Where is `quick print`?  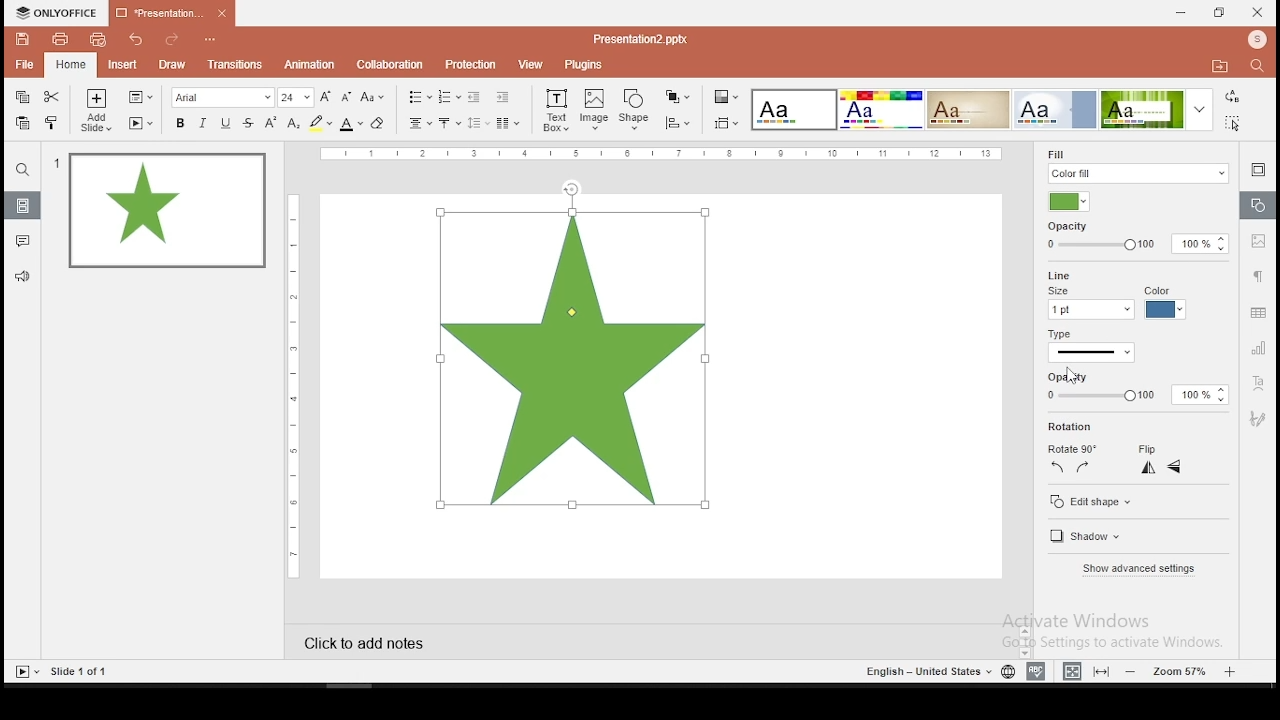 quick print is located at coordinates (97, 39).